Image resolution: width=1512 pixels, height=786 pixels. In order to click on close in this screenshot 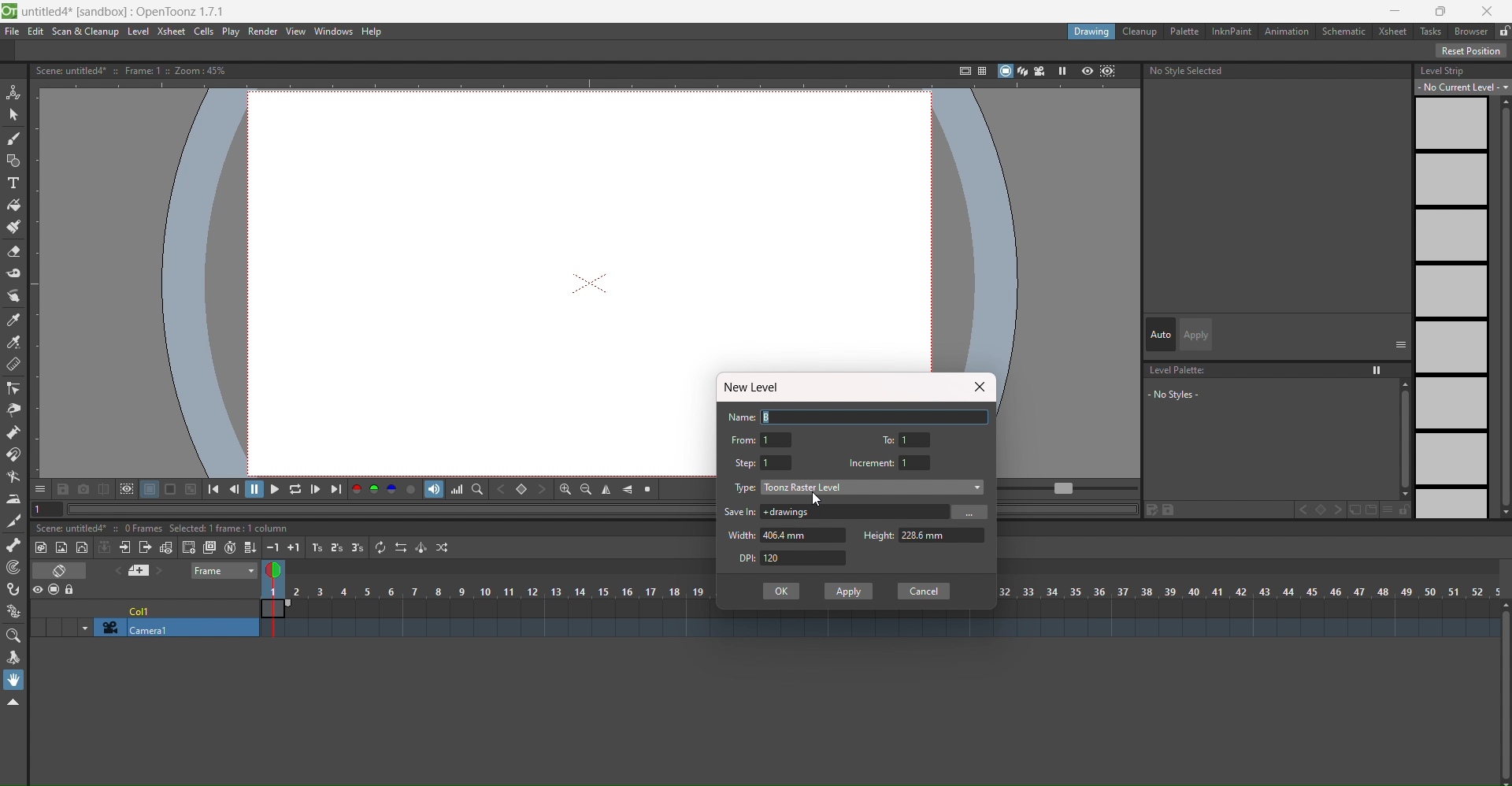, I will do `click(1488, 11)`.